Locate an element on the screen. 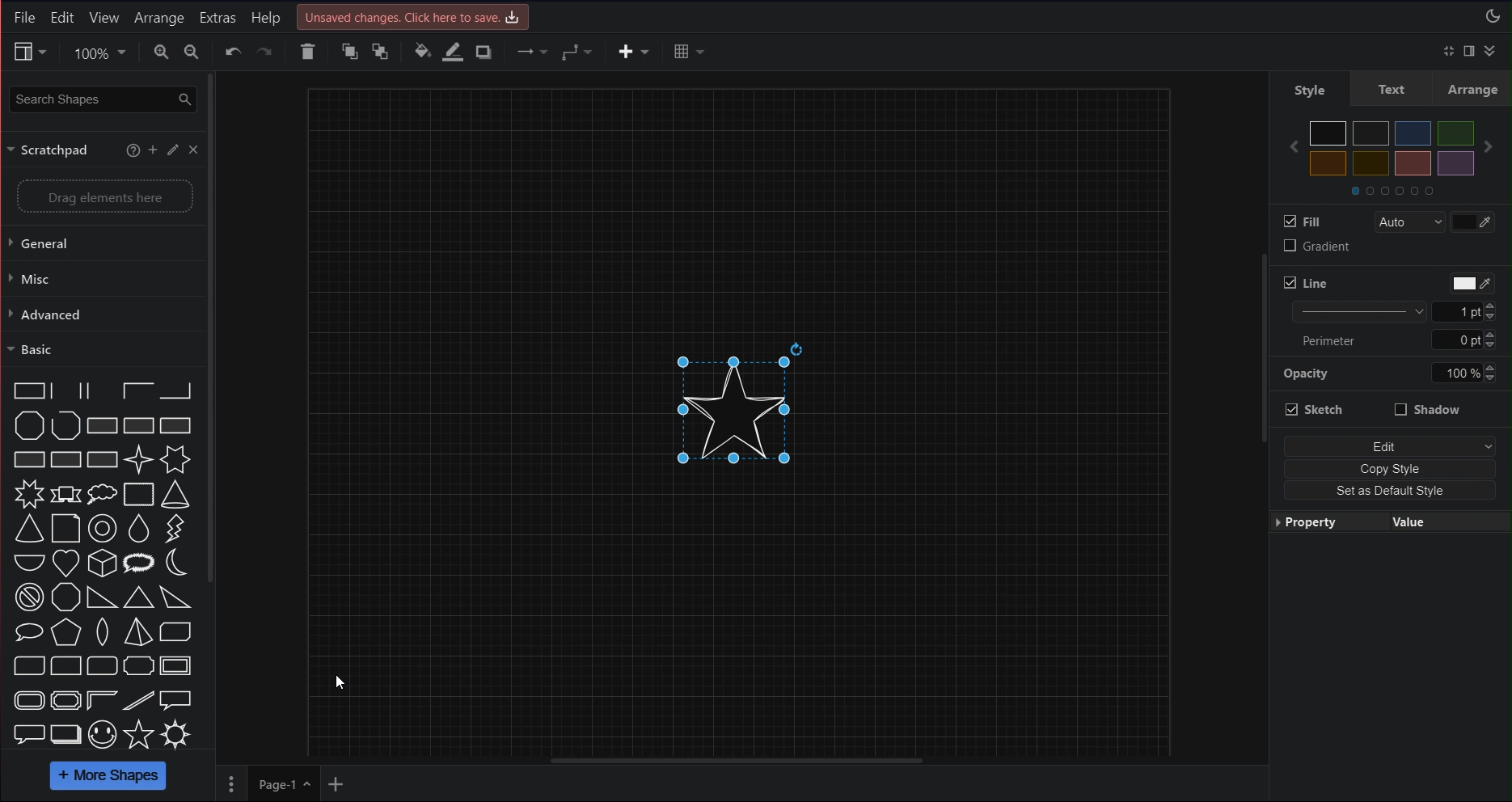 The height and width of the screenshot is (802, 1512). obtuse triangle is located at coordinates (177, 597).